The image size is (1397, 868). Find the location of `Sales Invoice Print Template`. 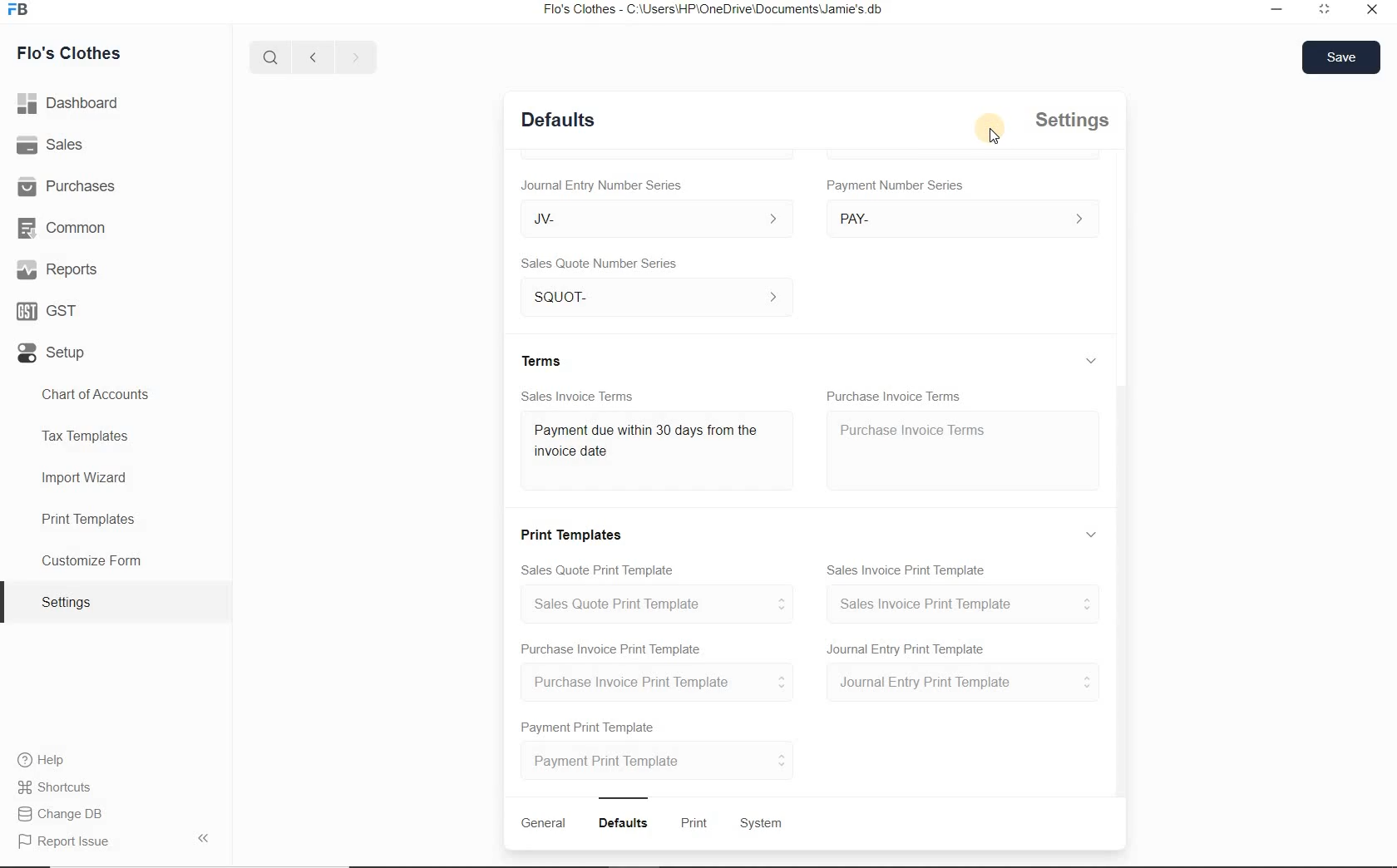

Sales Invoice Print Template is located at coordinates (960, 604).